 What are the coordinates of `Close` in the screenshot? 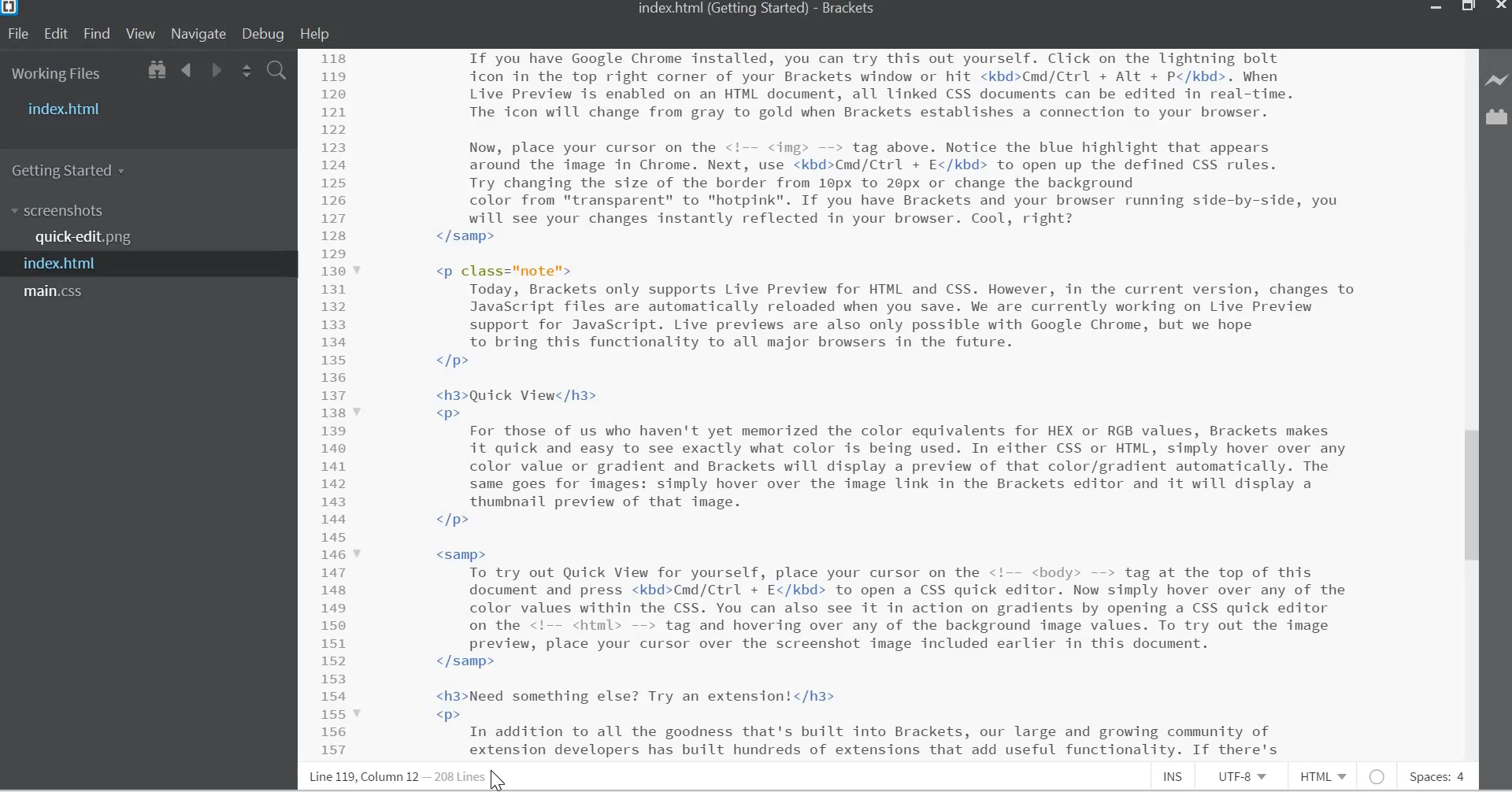 It's located at (1499, 7).